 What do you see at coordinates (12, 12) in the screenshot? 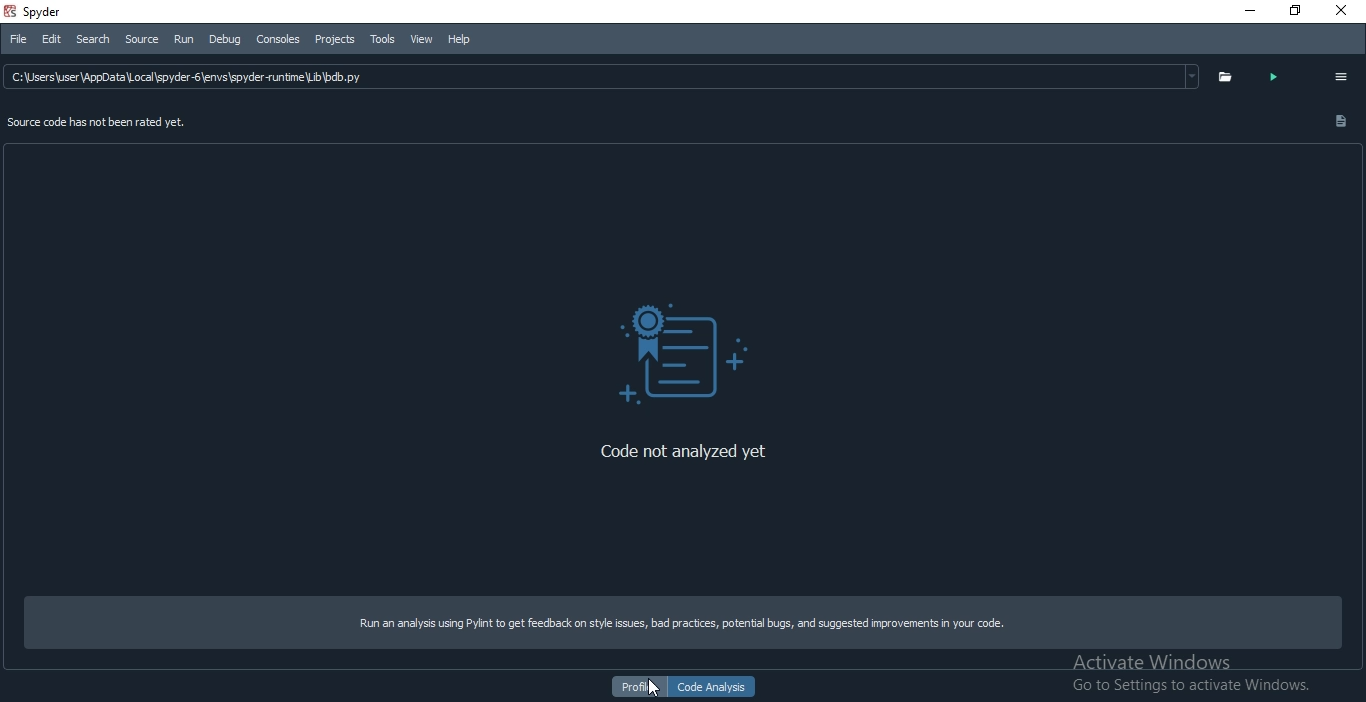
I see `spyder logo` at bounding box center [12, 12].